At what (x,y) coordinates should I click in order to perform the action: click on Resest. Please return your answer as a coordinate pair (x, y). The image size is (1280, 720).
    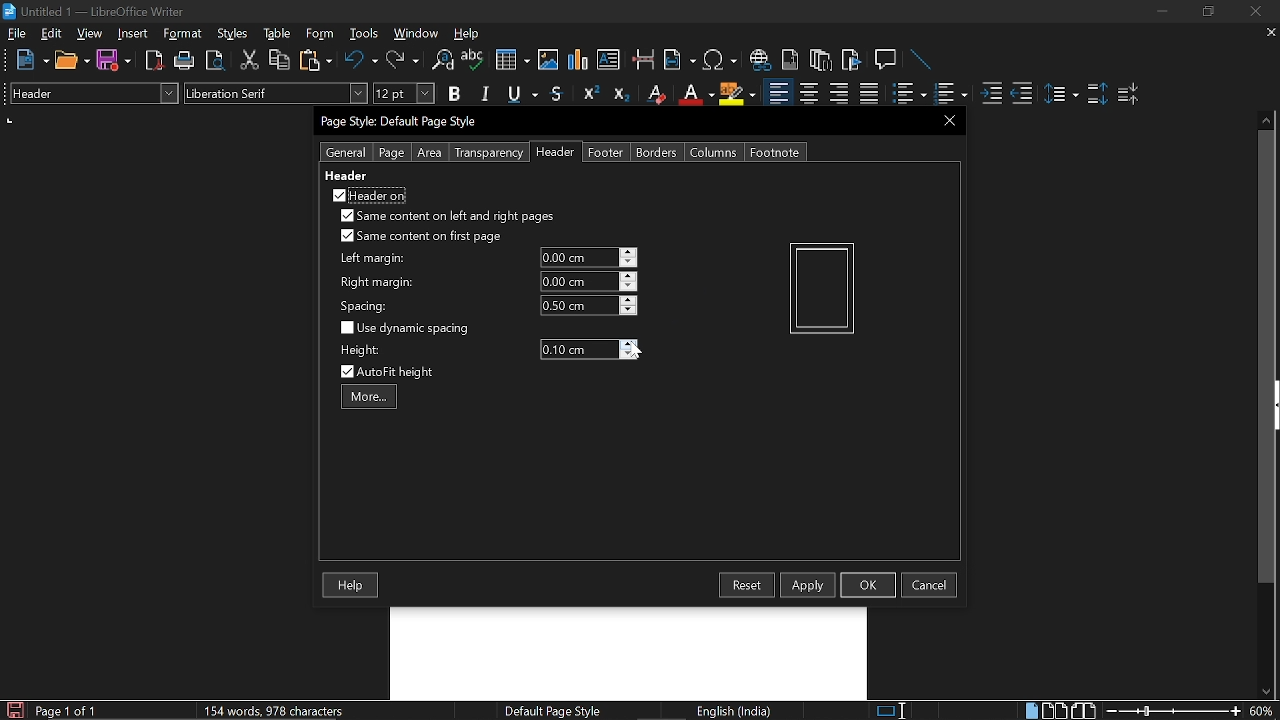
    Looking at the image, I should click on (747, 585).